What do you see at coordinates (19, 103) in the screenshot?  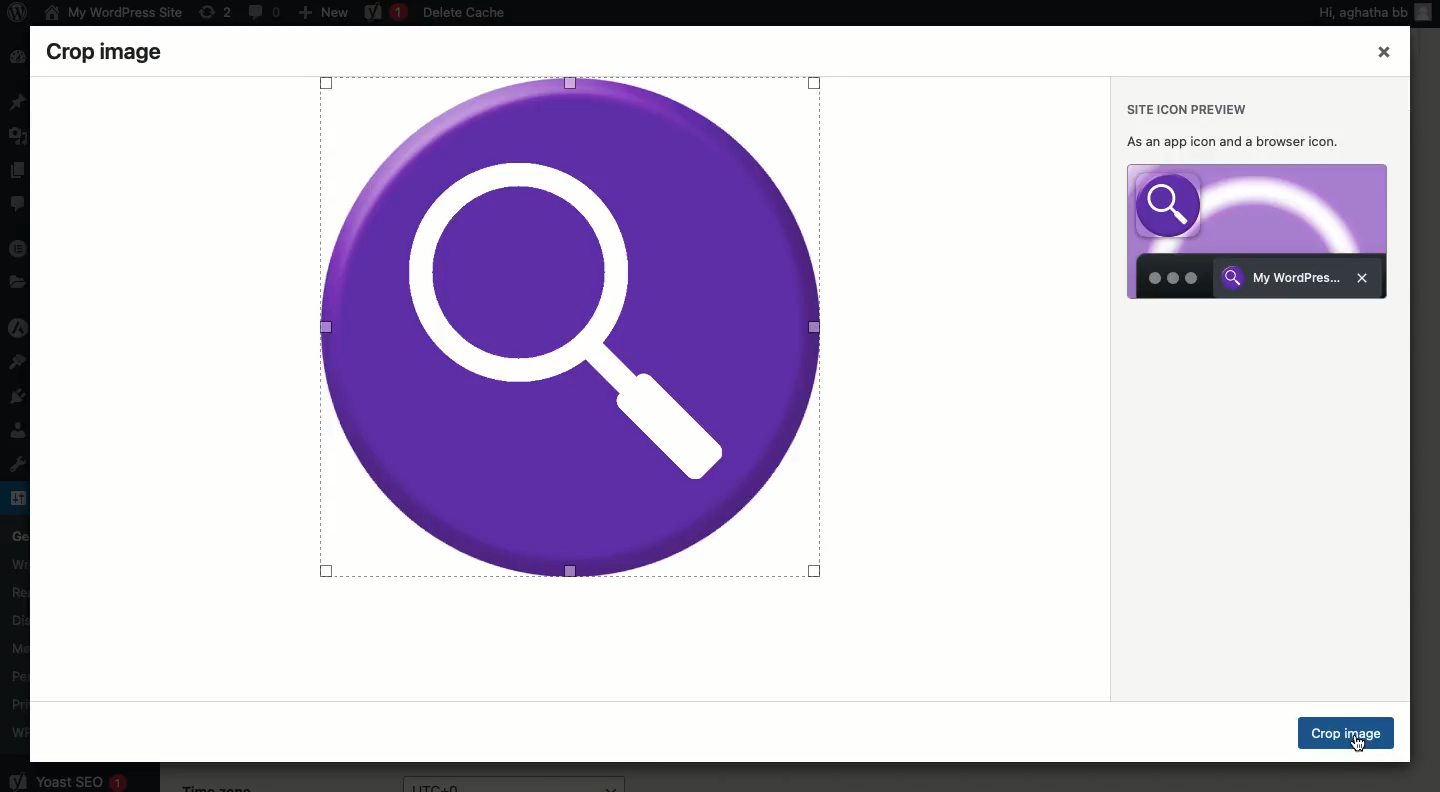 I see `Posts` at bounding box center [19, 103].